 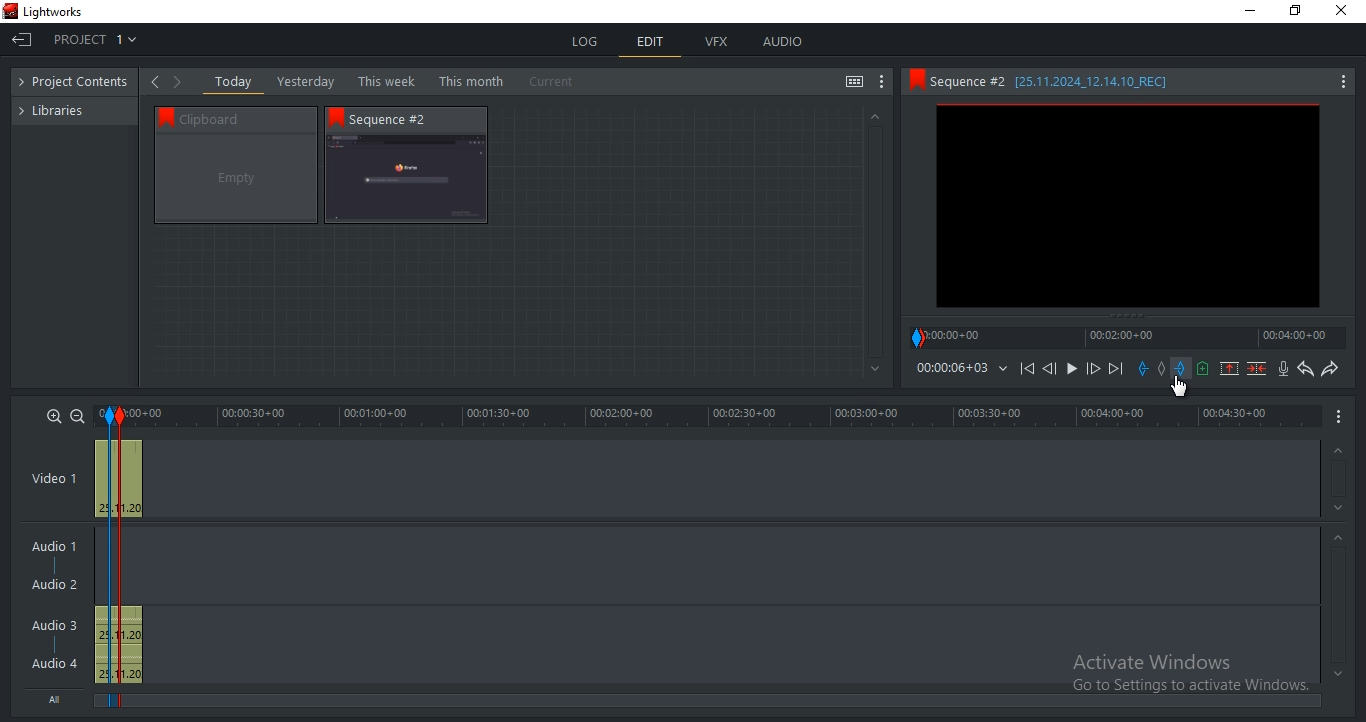 I want to click on vfx, so click(x=716, y=42).